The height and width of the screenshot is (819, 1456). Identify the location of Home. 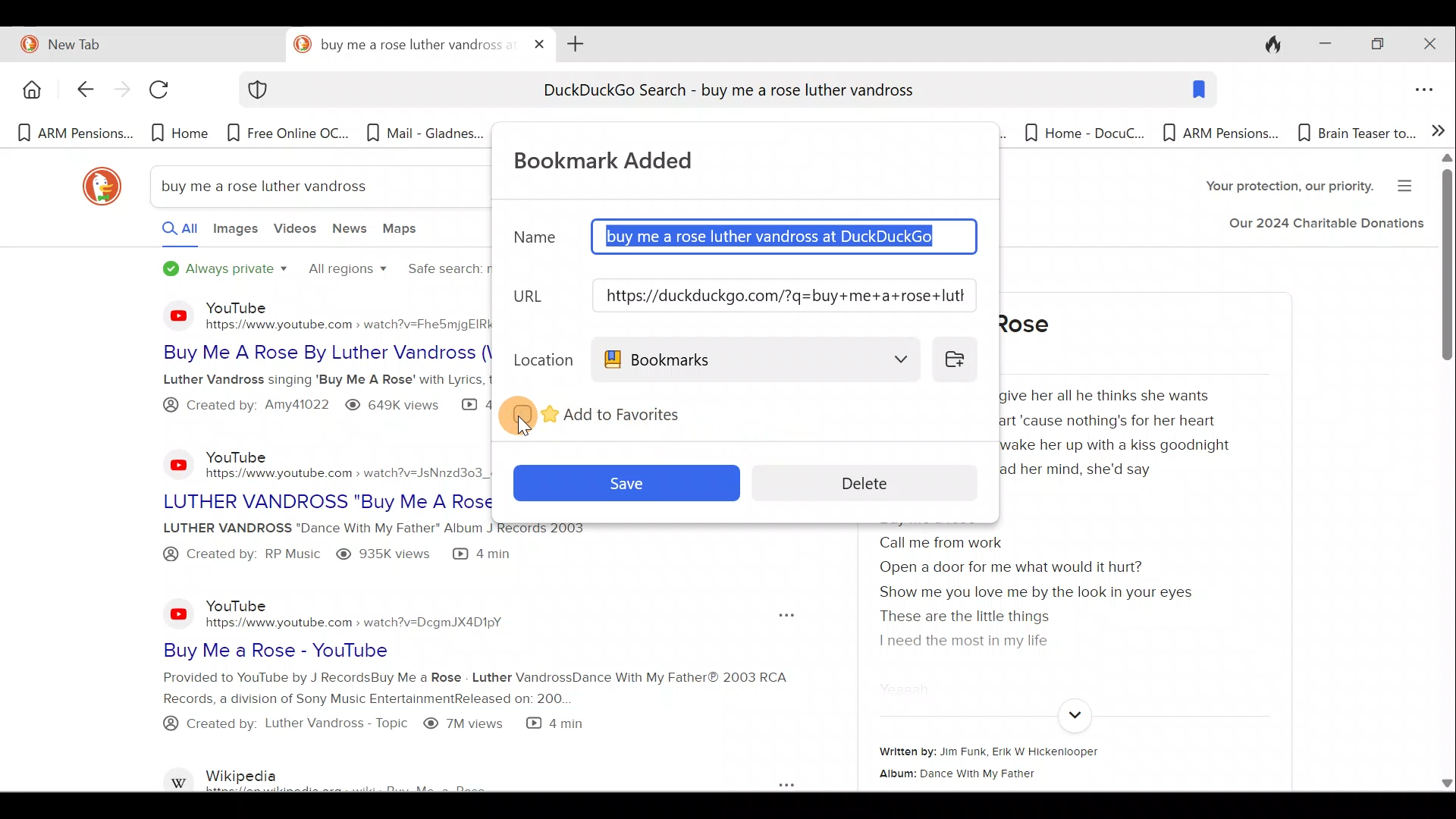
(30, 89).